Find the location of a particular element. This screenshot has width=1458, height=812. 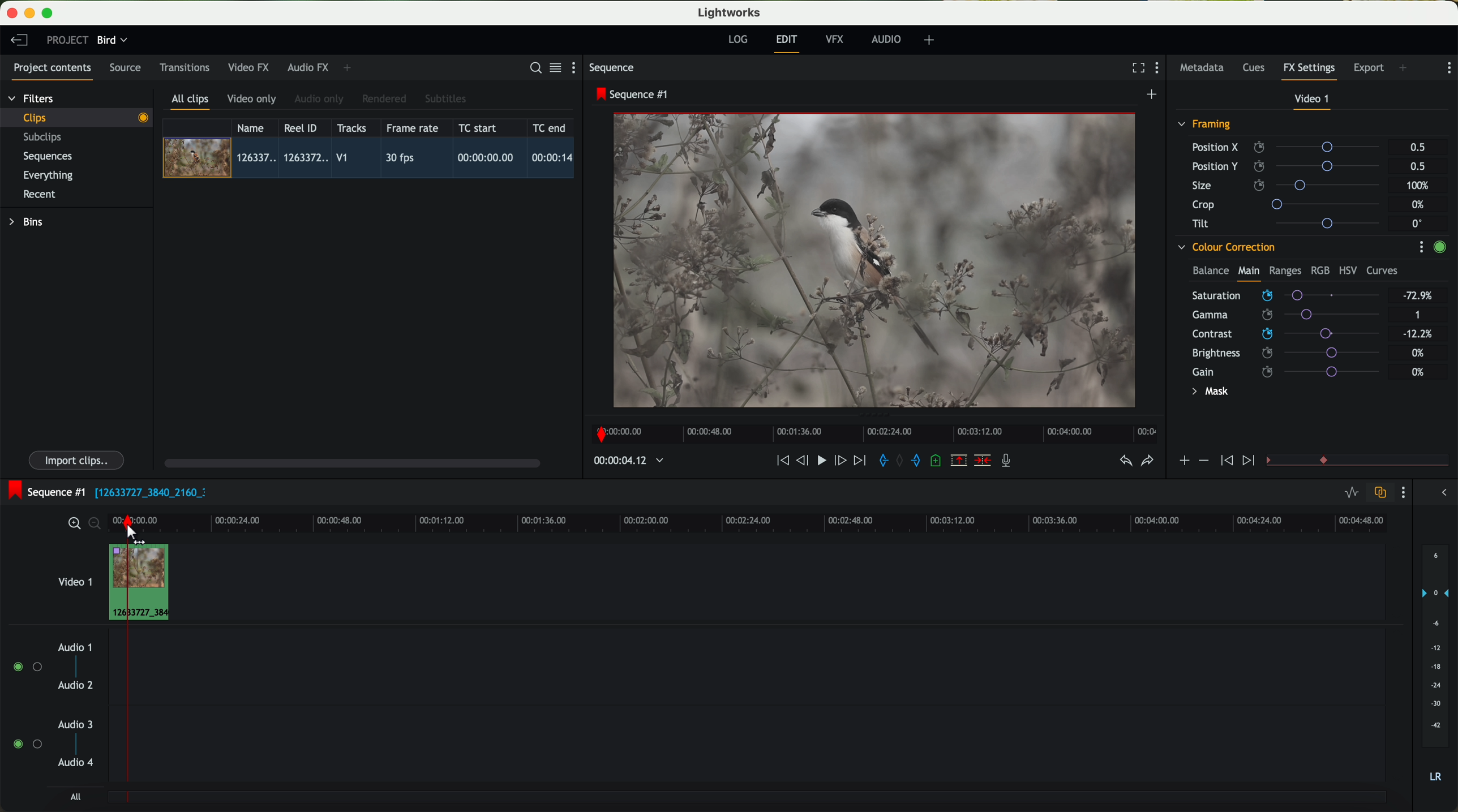

create a new sequence is located at coordinates (1153, 95).